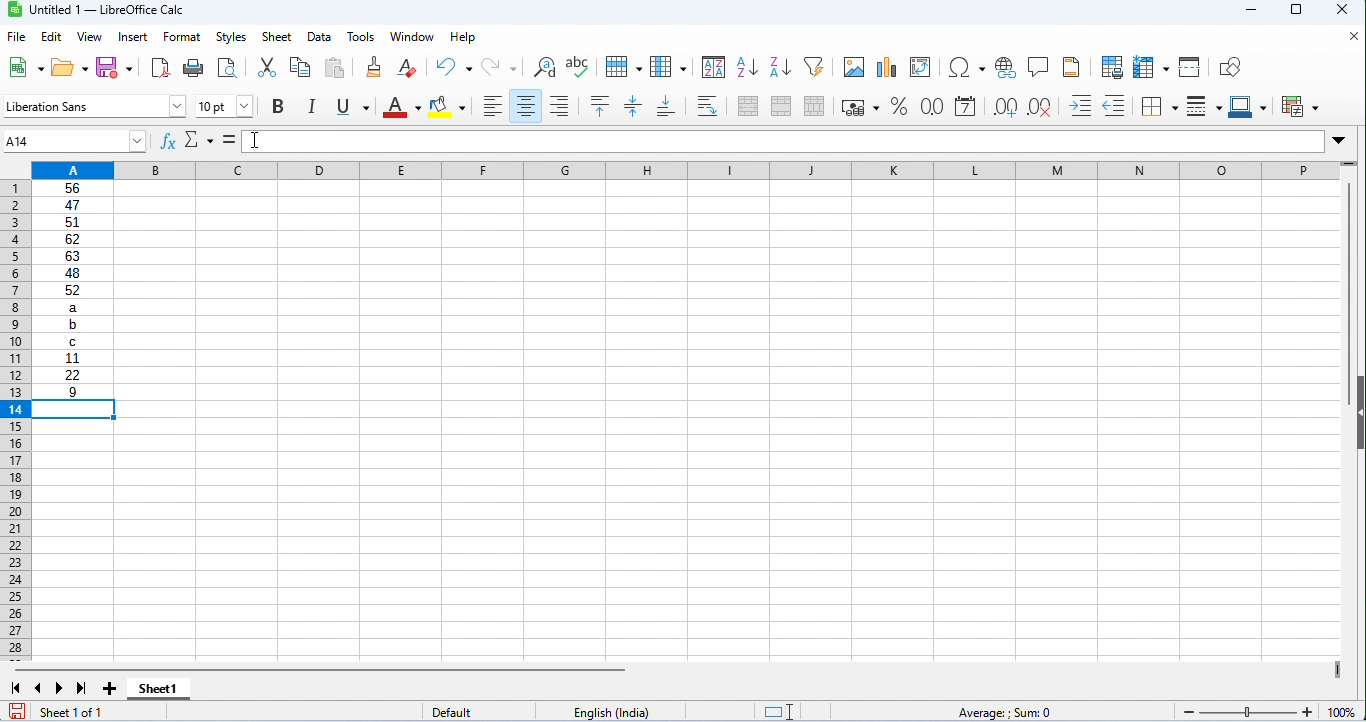 This screenshot has width=1366, height=722. Describe the element at coordinates (413, 38) in the screenshot. I see `window` at that location.